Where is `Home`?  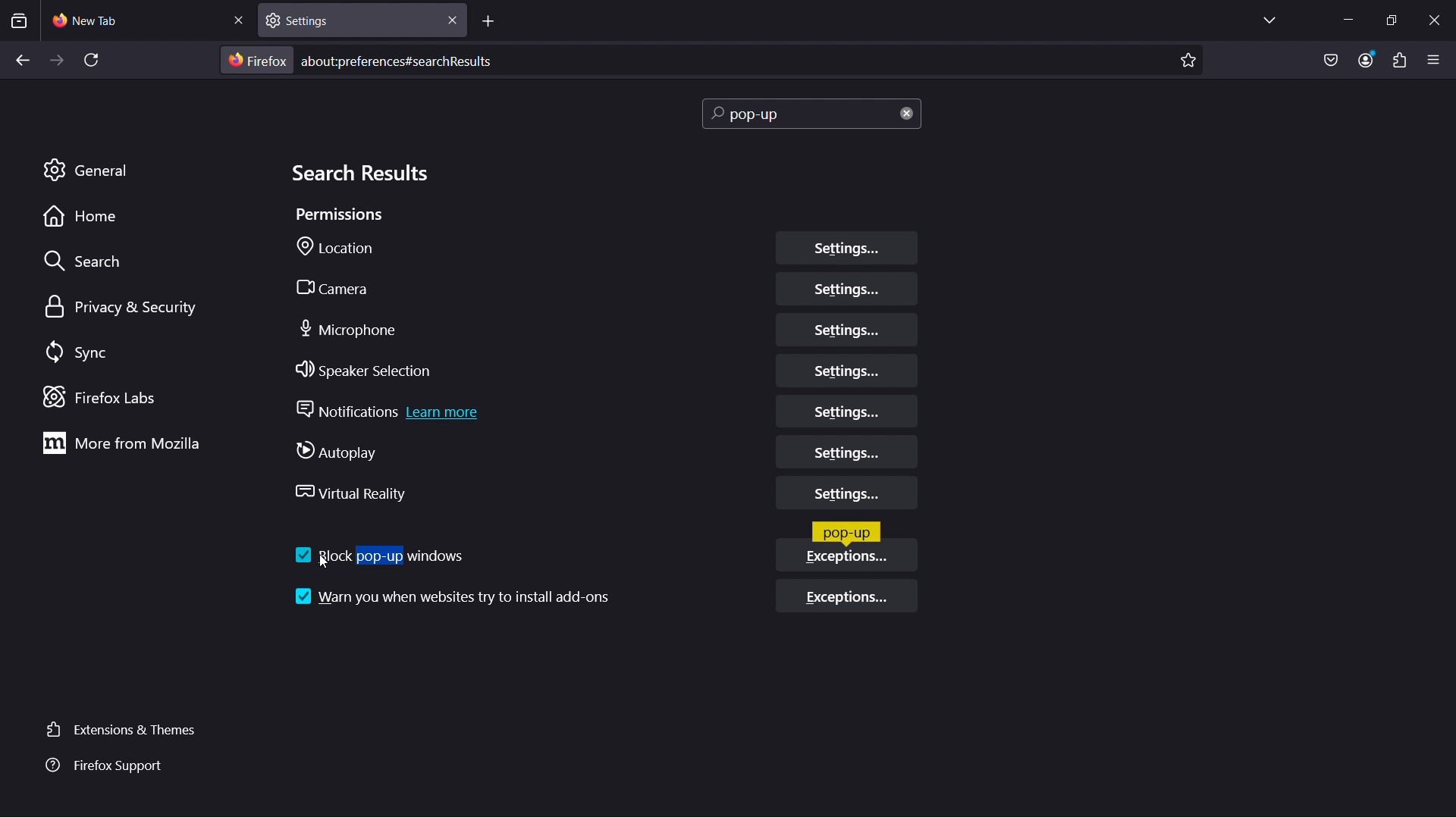
Home is located at coordinates (86, 218).